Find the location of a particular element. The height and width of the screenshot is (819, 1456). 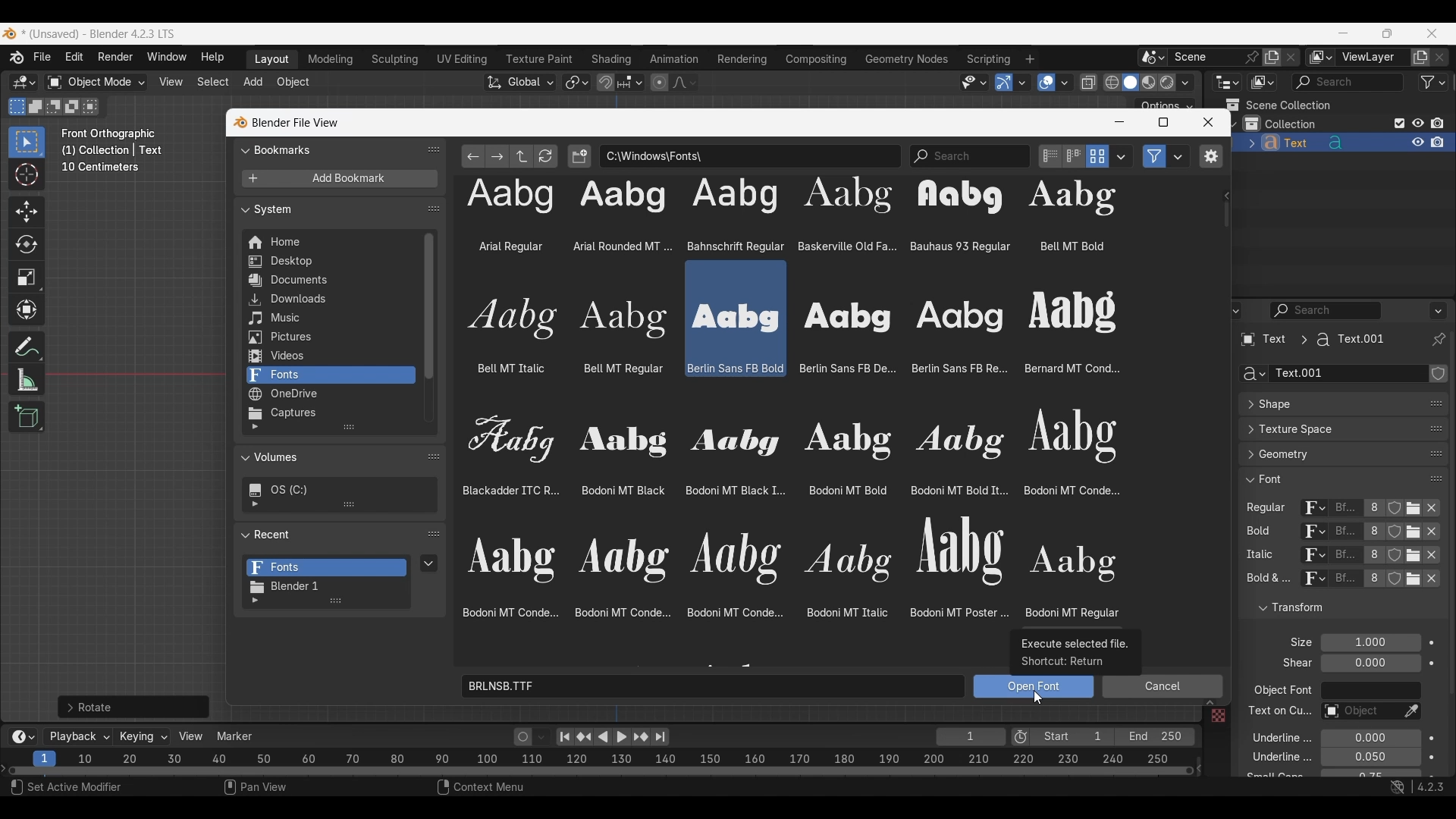

Eyedropper data-block is located at coordinates (1429, 399).